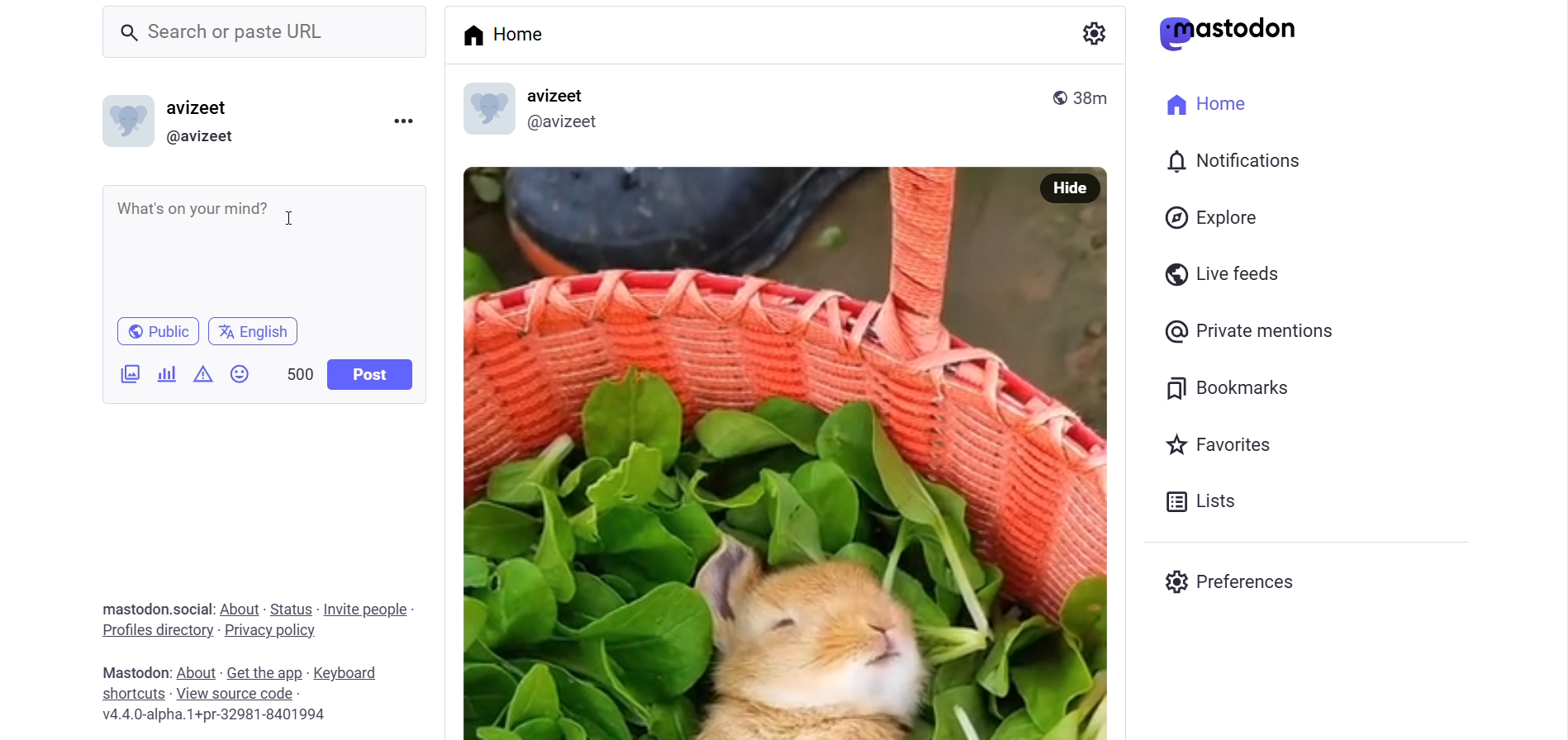 The image size is (1568, 740). Describe the element at coordinates (158, 606) in the screenshot. I see `mastodon.social` at that location.